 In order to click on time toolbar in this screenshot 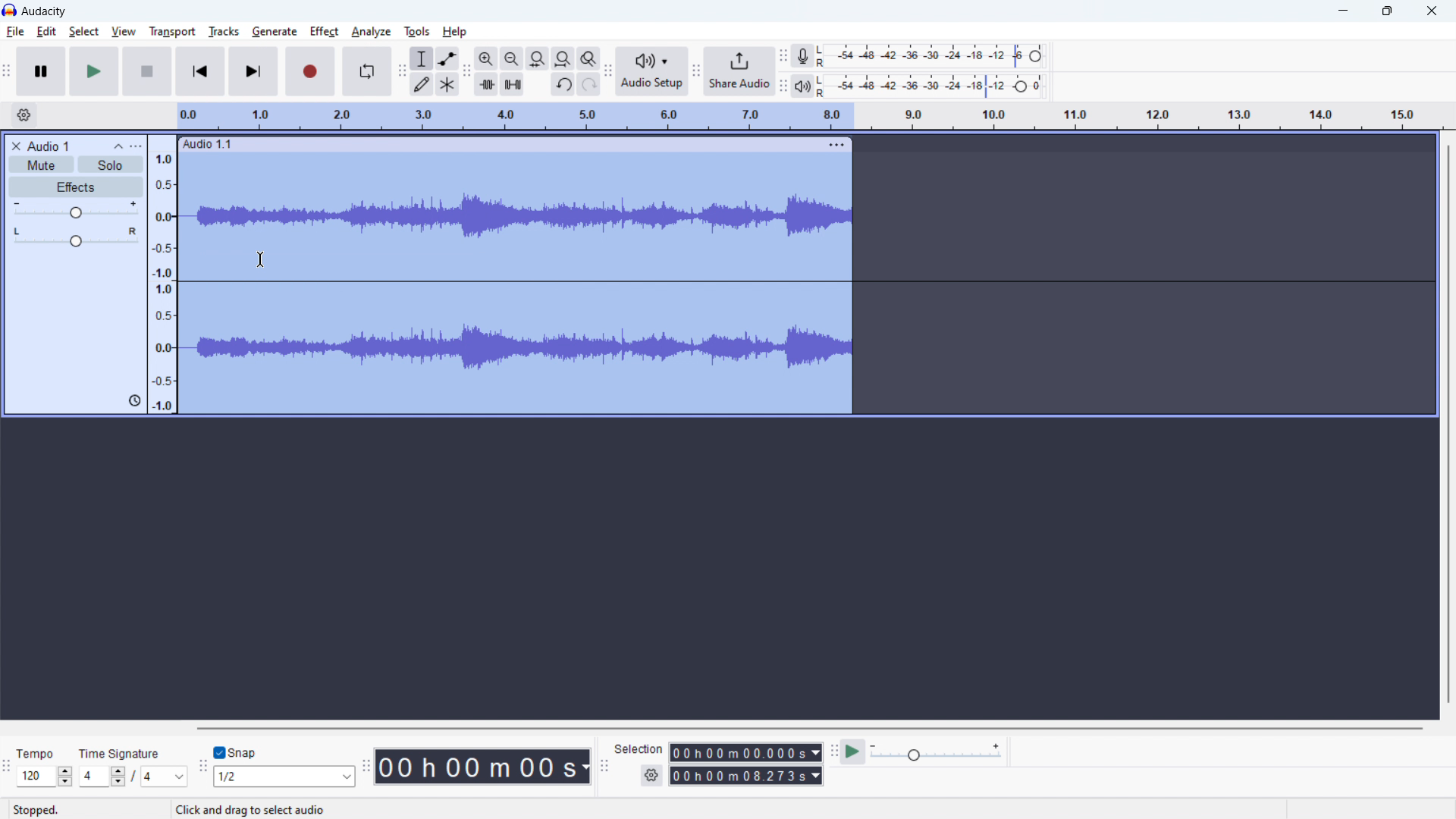, I will do `click(365, 767)`.